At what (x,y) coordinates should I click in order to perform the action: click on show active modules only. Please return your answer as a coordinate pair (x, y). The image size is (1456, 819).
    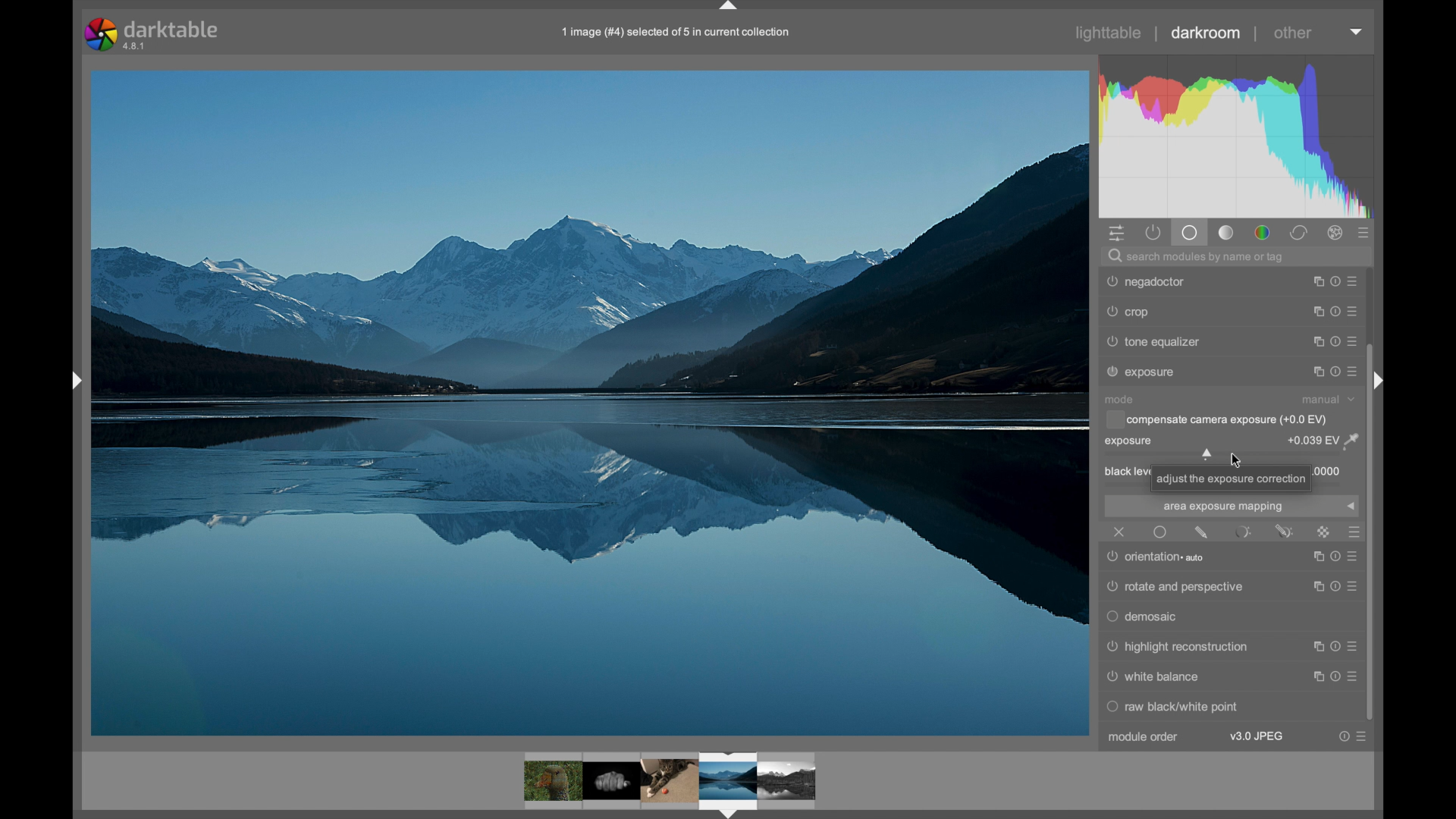
    Looking at the image, I should click on (1153, 233).